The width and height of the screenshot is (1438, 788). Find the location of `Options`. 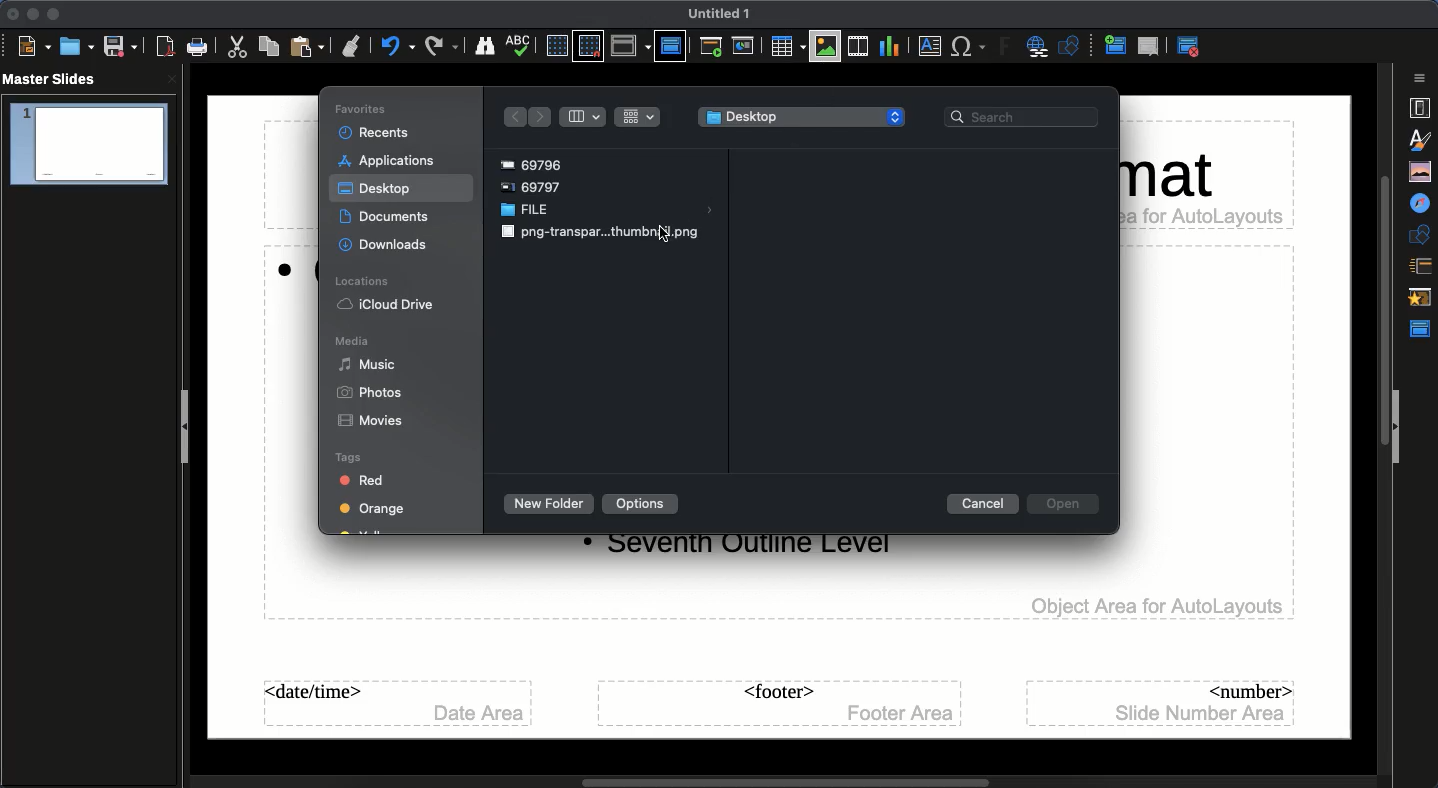

Options is located at coordinates (640, 504).